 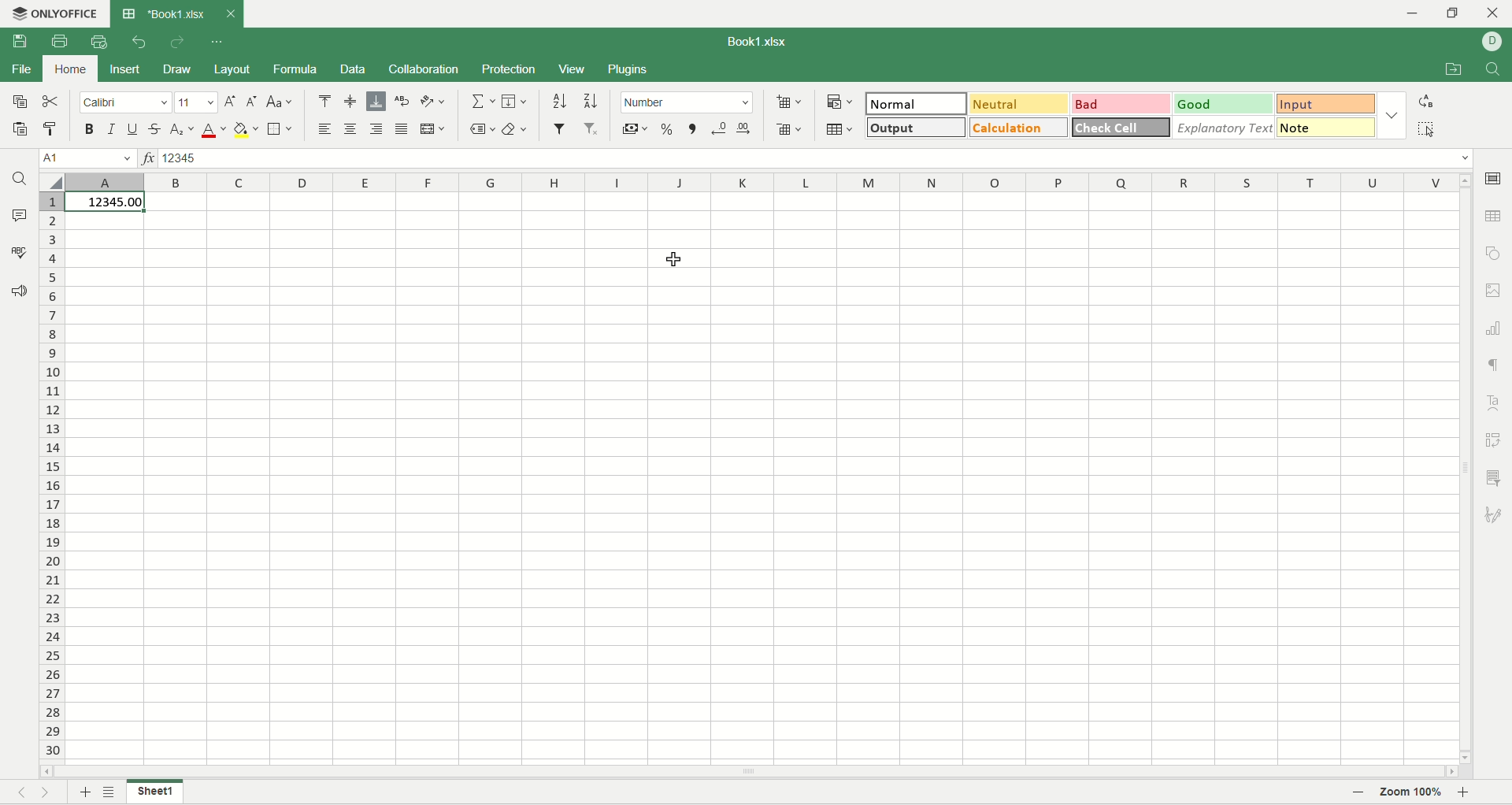 What do you see at coordinates (154, 792) in the screenshot?
I see `sheet name` at bounding box center [154, 792].